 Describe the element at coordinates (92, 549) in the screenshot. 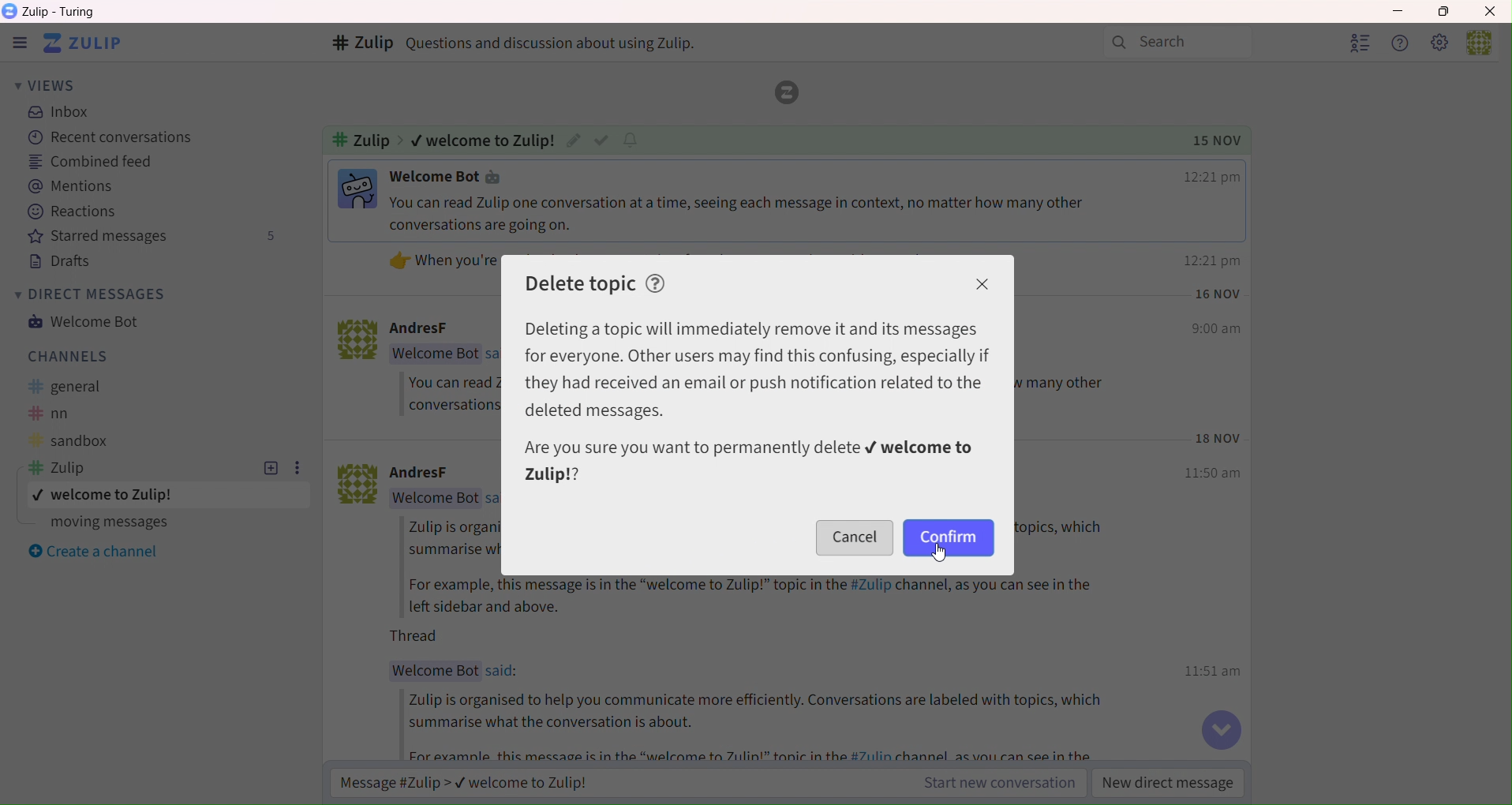

I see `Create a channel` at that location.